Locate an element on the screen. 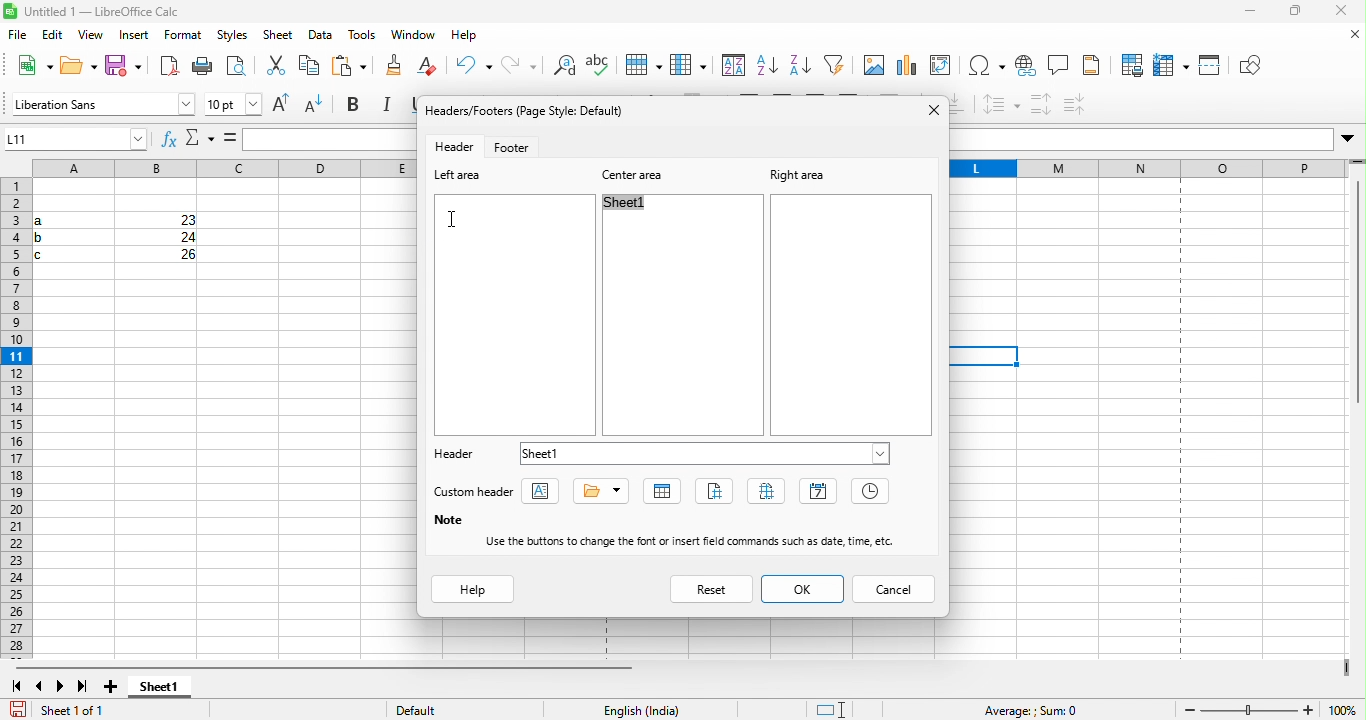 This screenshot has width=1366, height=720. name box is located at coordinates (78, 140).